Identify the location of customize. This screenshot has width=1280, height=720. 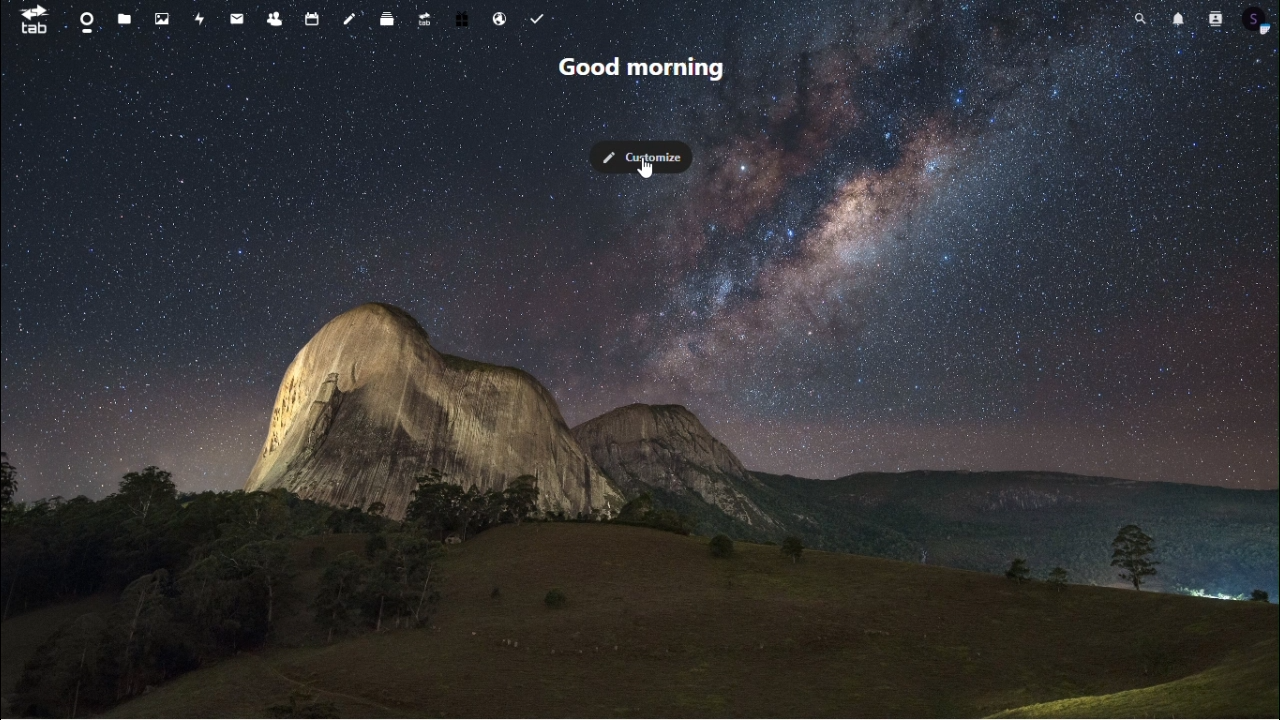
(652, 161).